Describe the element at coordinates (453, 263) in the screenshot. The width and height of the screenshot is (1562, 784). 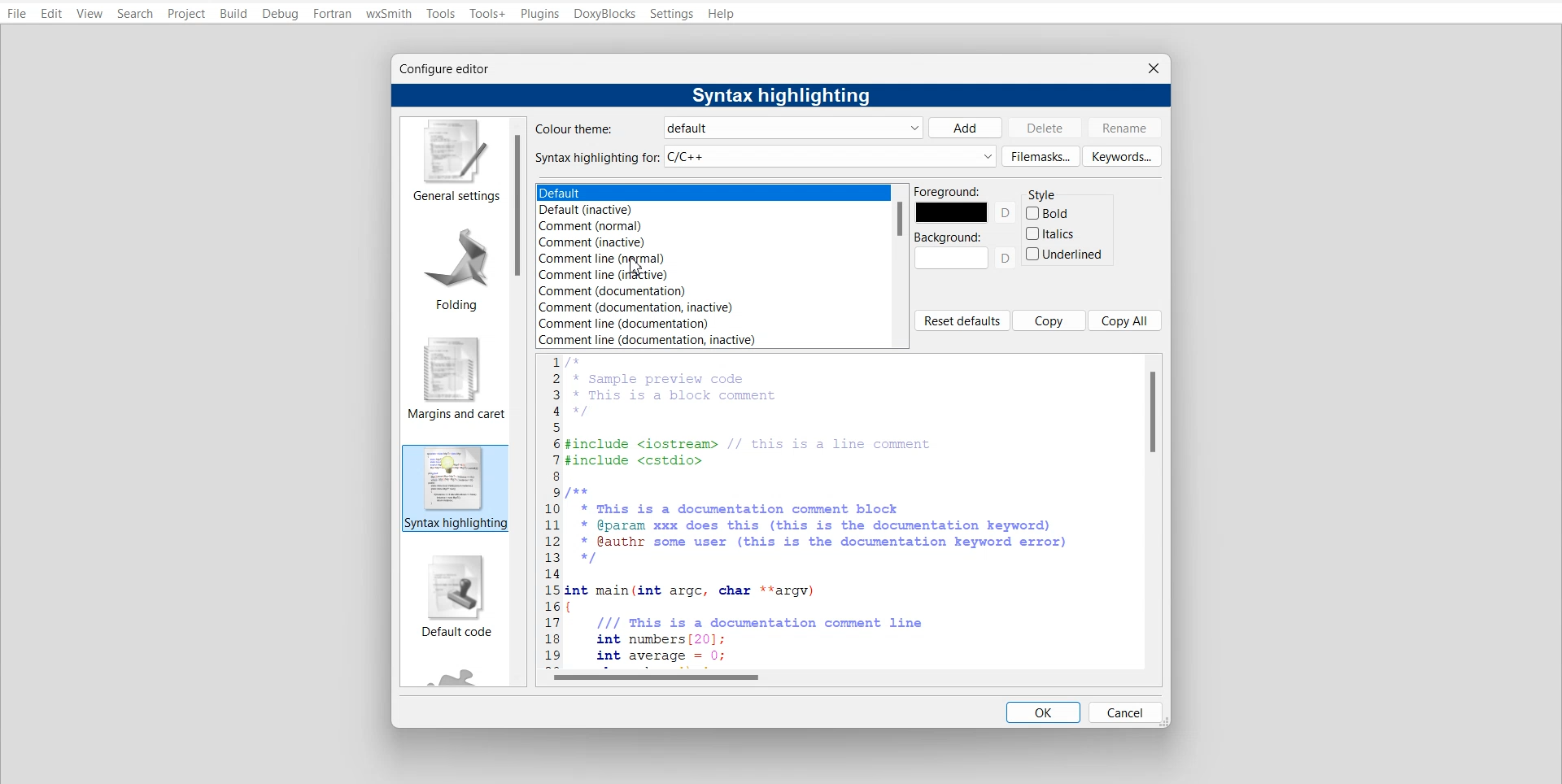
I see `Folding` at that location.